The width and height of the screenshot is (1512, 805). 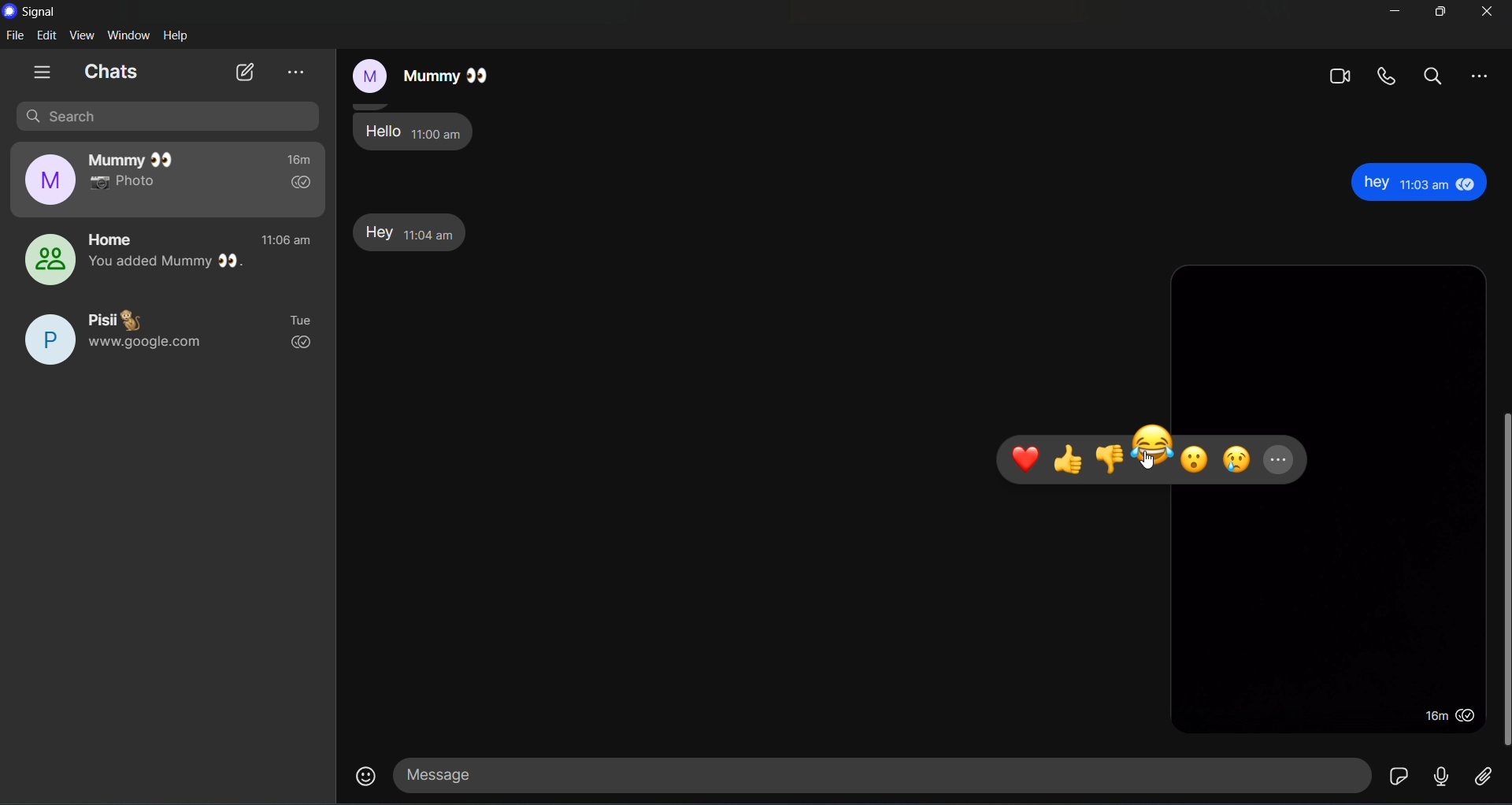 I want to click on title, so click(x=42, y=13).